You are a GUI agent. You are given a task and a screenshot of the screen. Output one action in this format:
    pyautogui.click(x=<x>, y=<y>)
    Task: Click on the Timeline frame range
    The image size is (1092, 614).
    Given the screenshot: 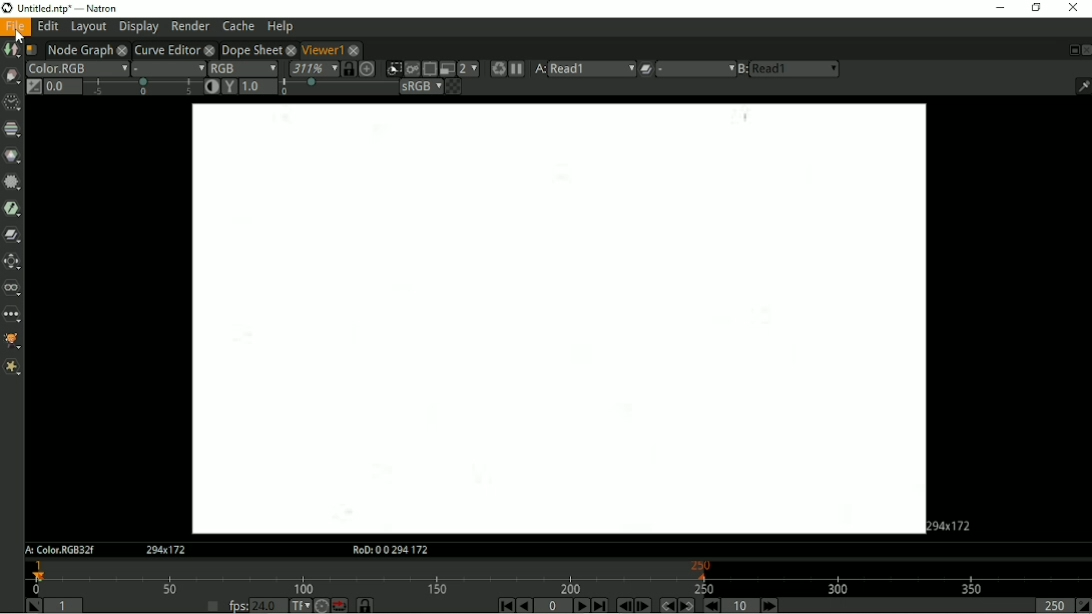 What is the action you would take?
    pyautogui.click(x=364, y=606)
    